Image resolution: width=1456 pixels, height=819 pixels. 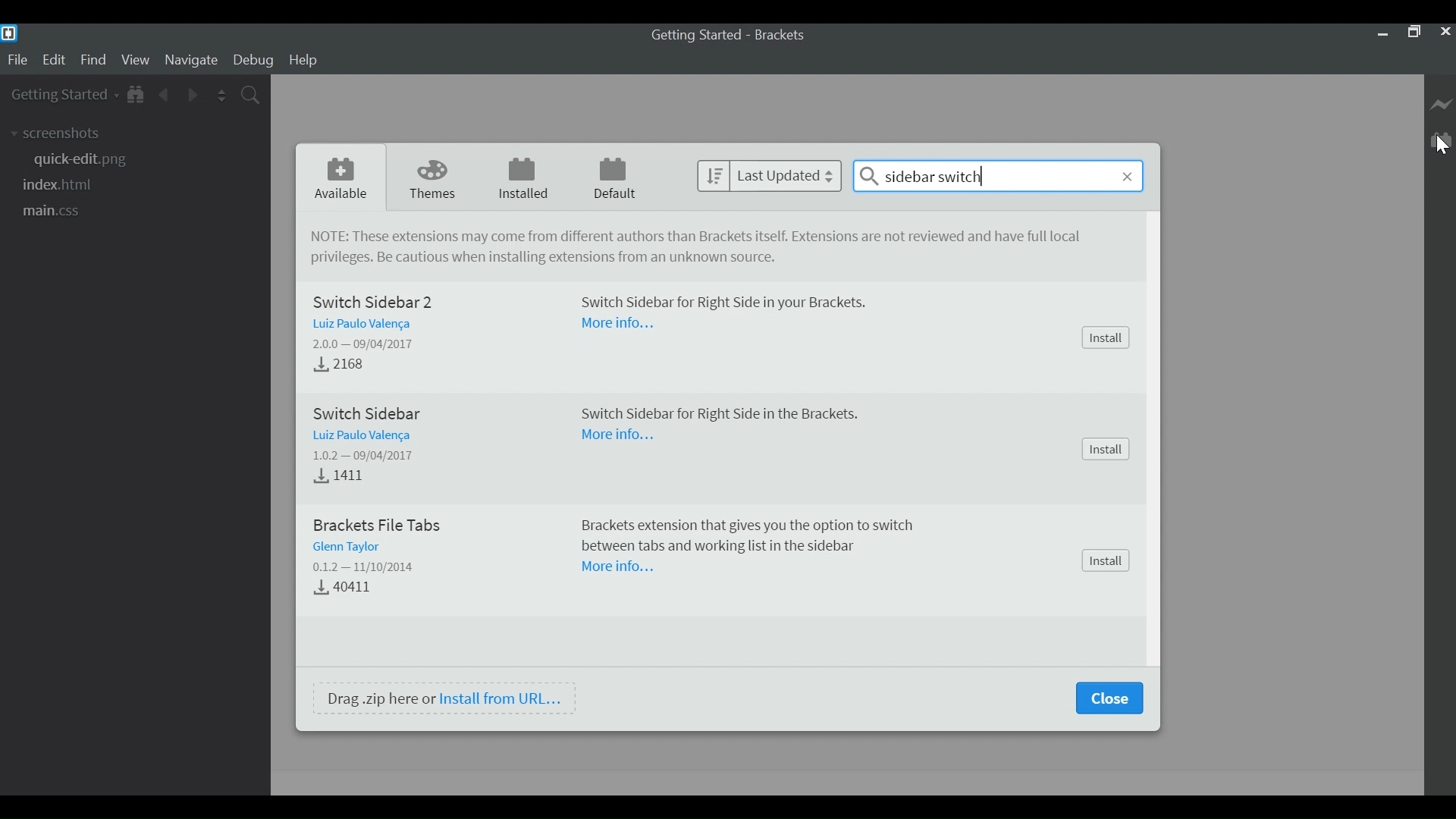 What do you see at coordinates (9, 33) in the screenshot?
I see `Brackets Desktop Icon` at bounding box center [9, 33].